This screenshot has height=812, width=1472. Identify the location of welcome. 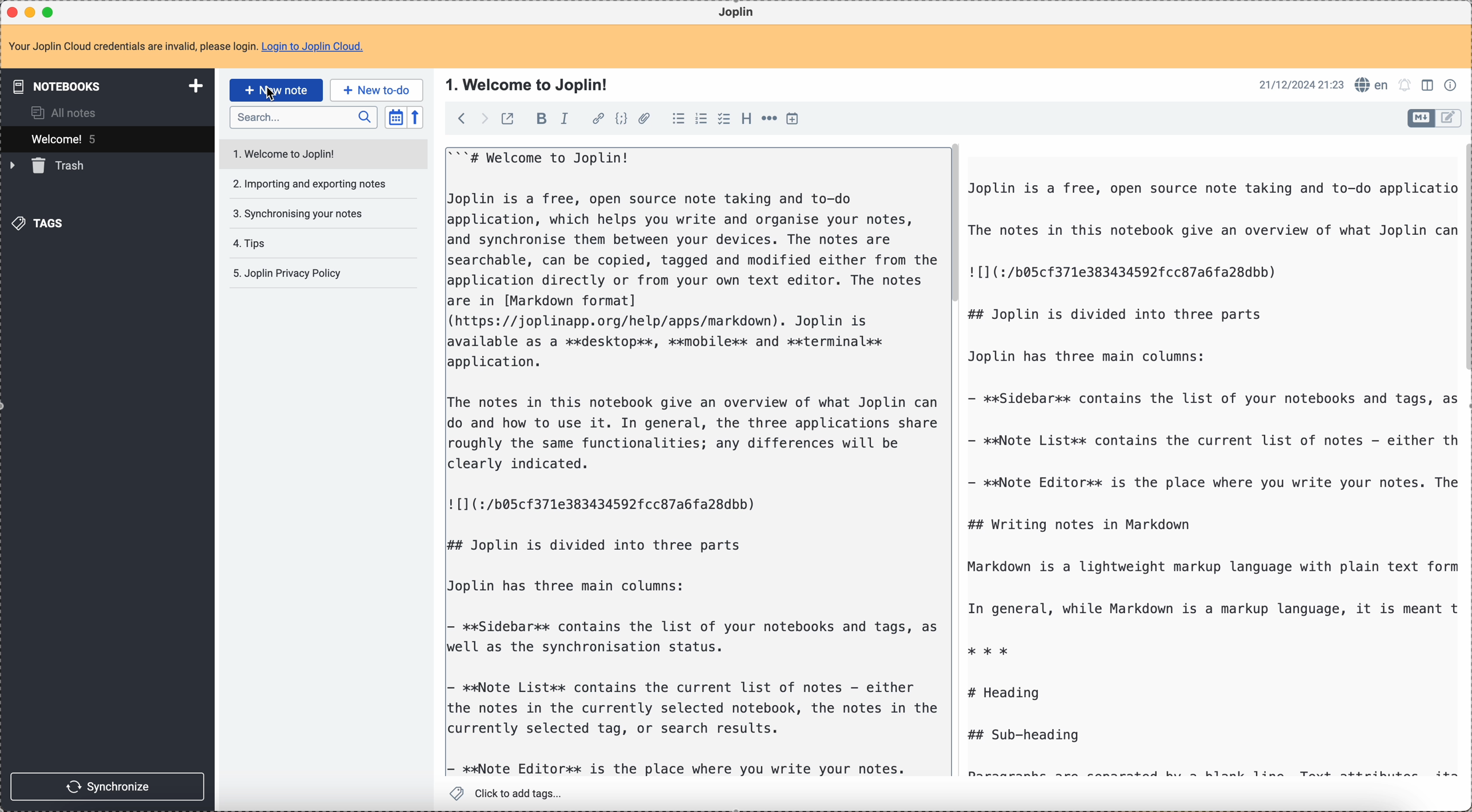
(106, 139).